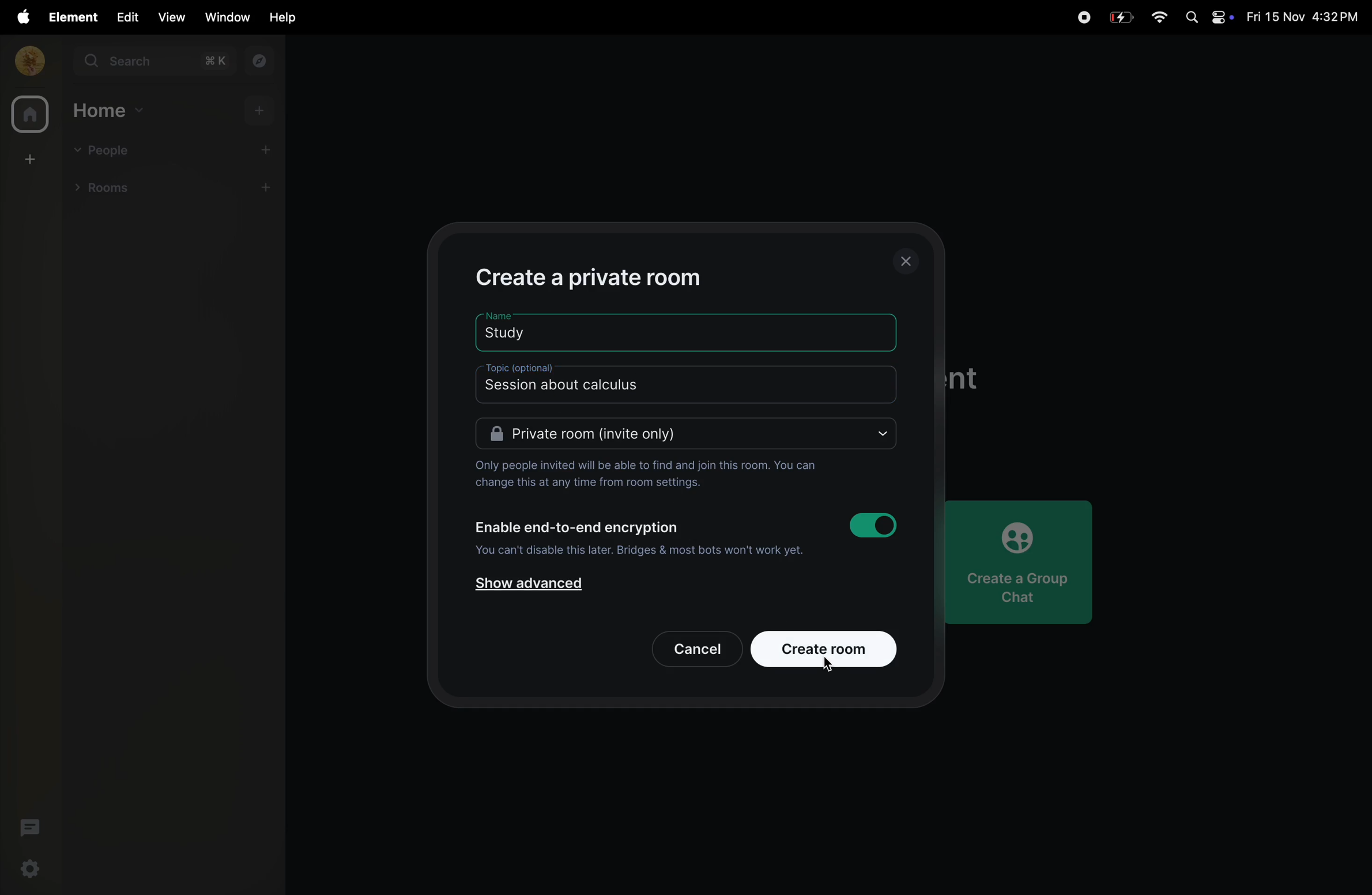  I want to click on explore, so click(261, 62).